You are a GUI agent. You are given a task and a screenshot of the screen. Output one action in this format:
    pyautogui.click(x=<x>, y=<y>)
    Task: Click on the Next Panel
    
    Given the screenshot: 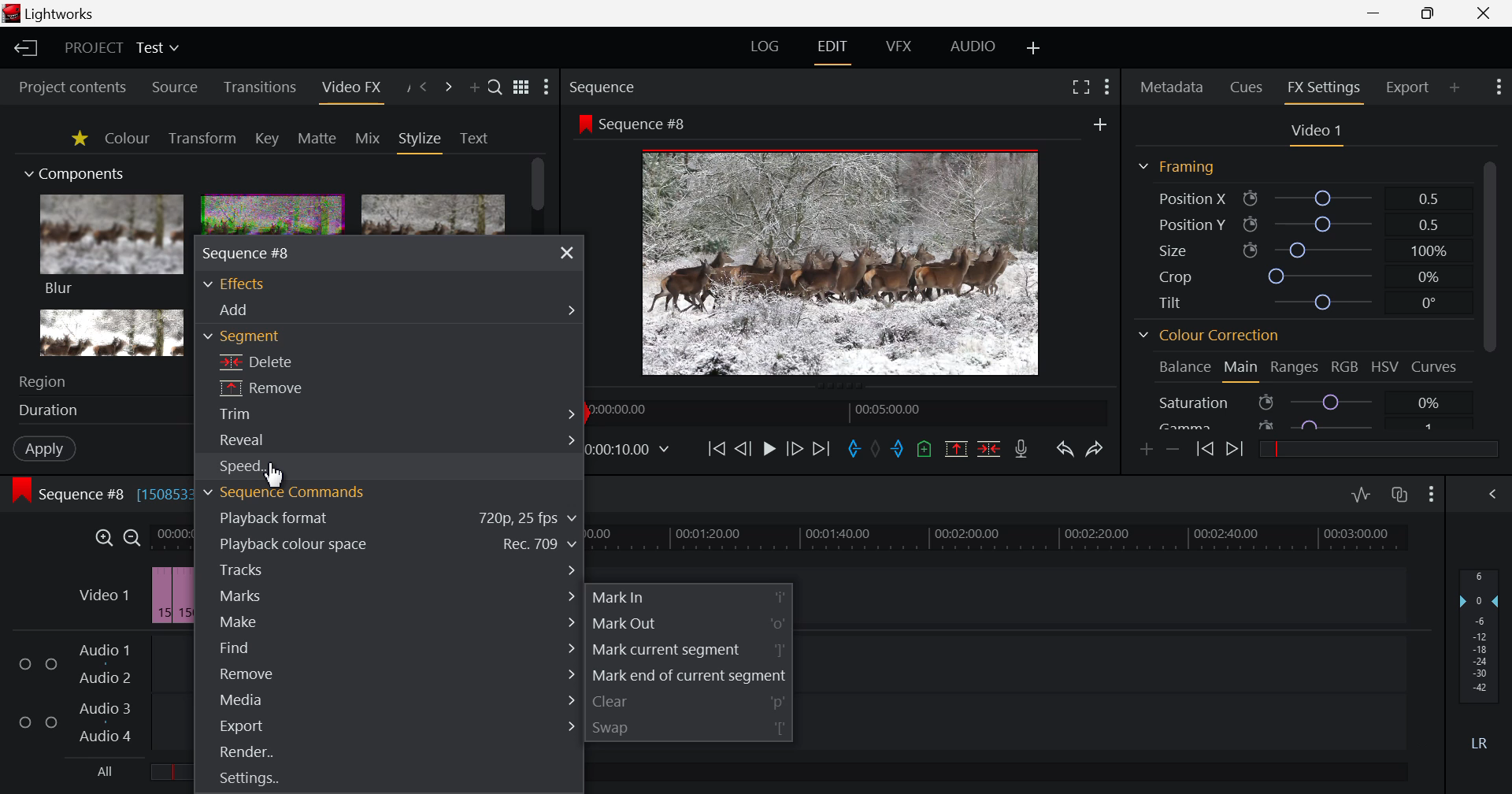 What is the action you would take?
    pyautogui.click(x=446, y=87)
    